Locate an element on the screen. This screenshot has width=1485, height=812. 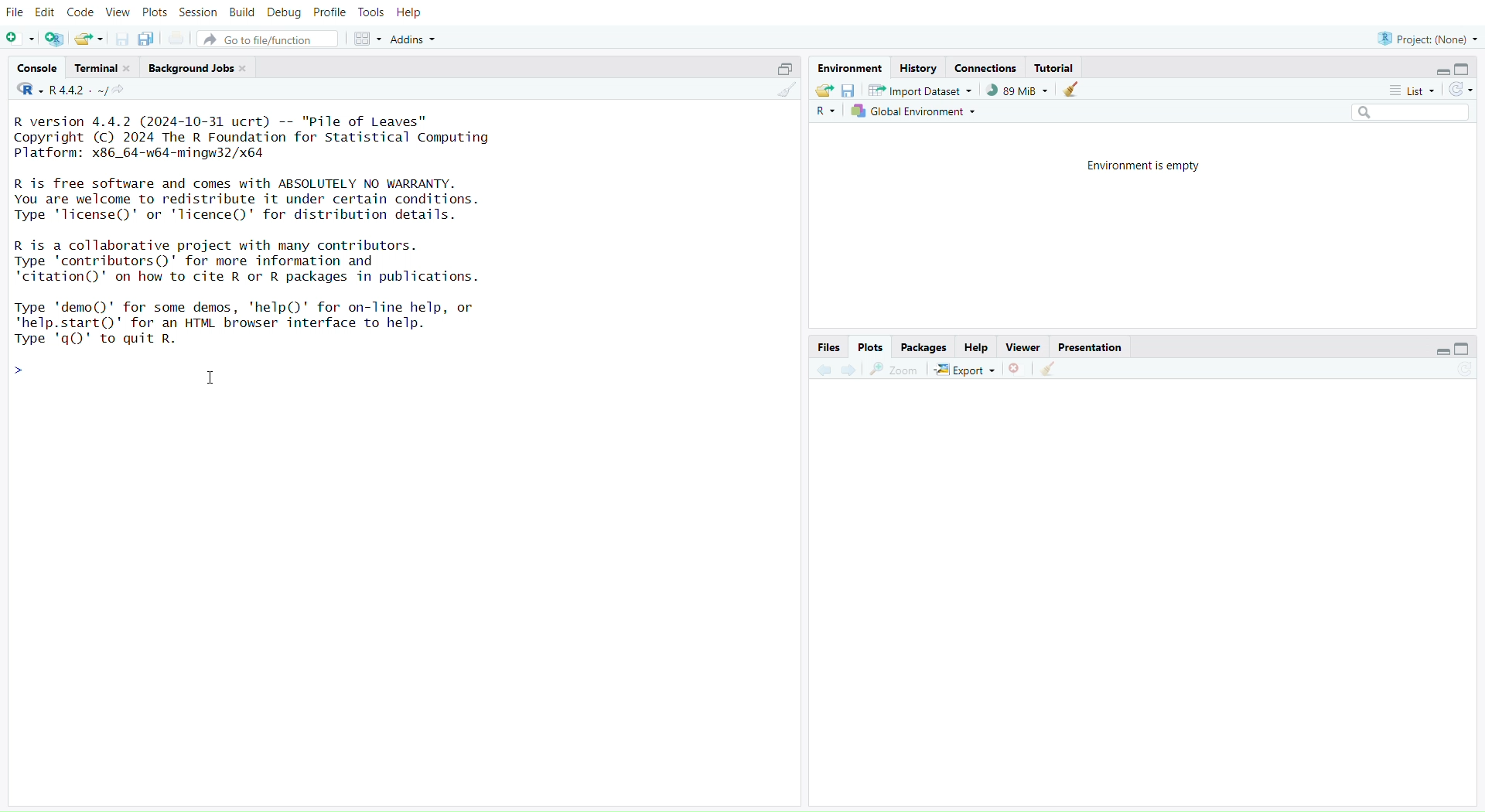
Build is located at coordinates (244, 12).